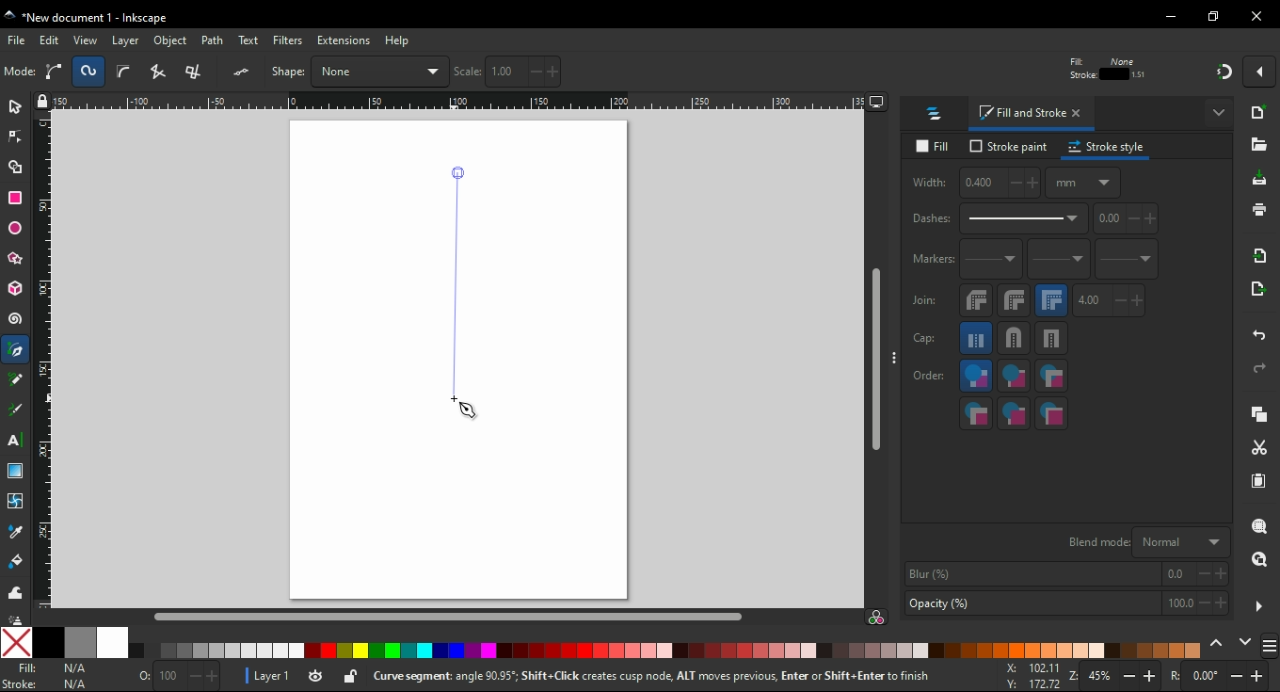  Describe the element at coordinates (15, 500) in the screenshot. I see `mesh` at that location.